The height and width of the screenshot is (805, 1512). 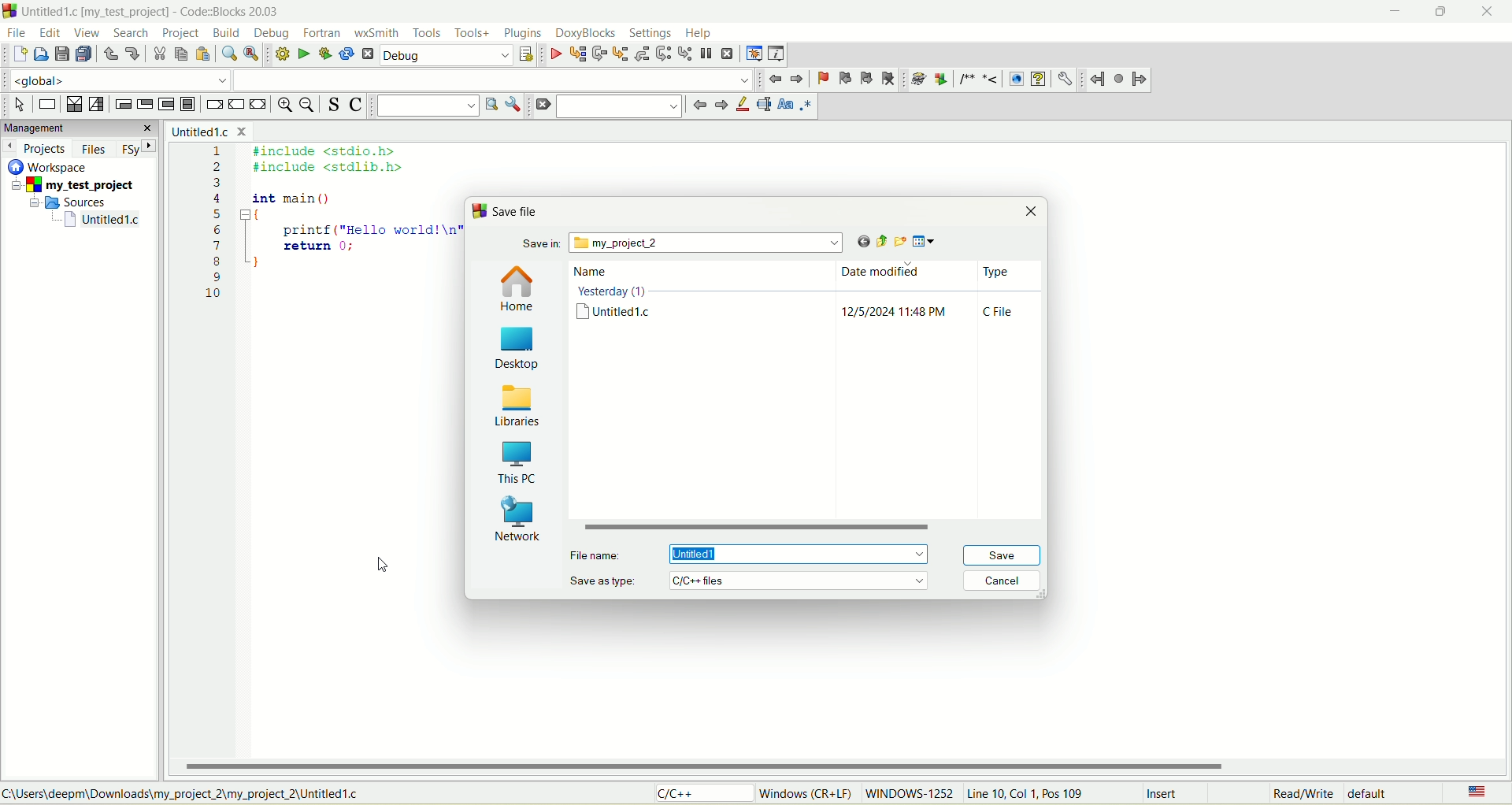 I want to click on select, so click(x=20, y=105).